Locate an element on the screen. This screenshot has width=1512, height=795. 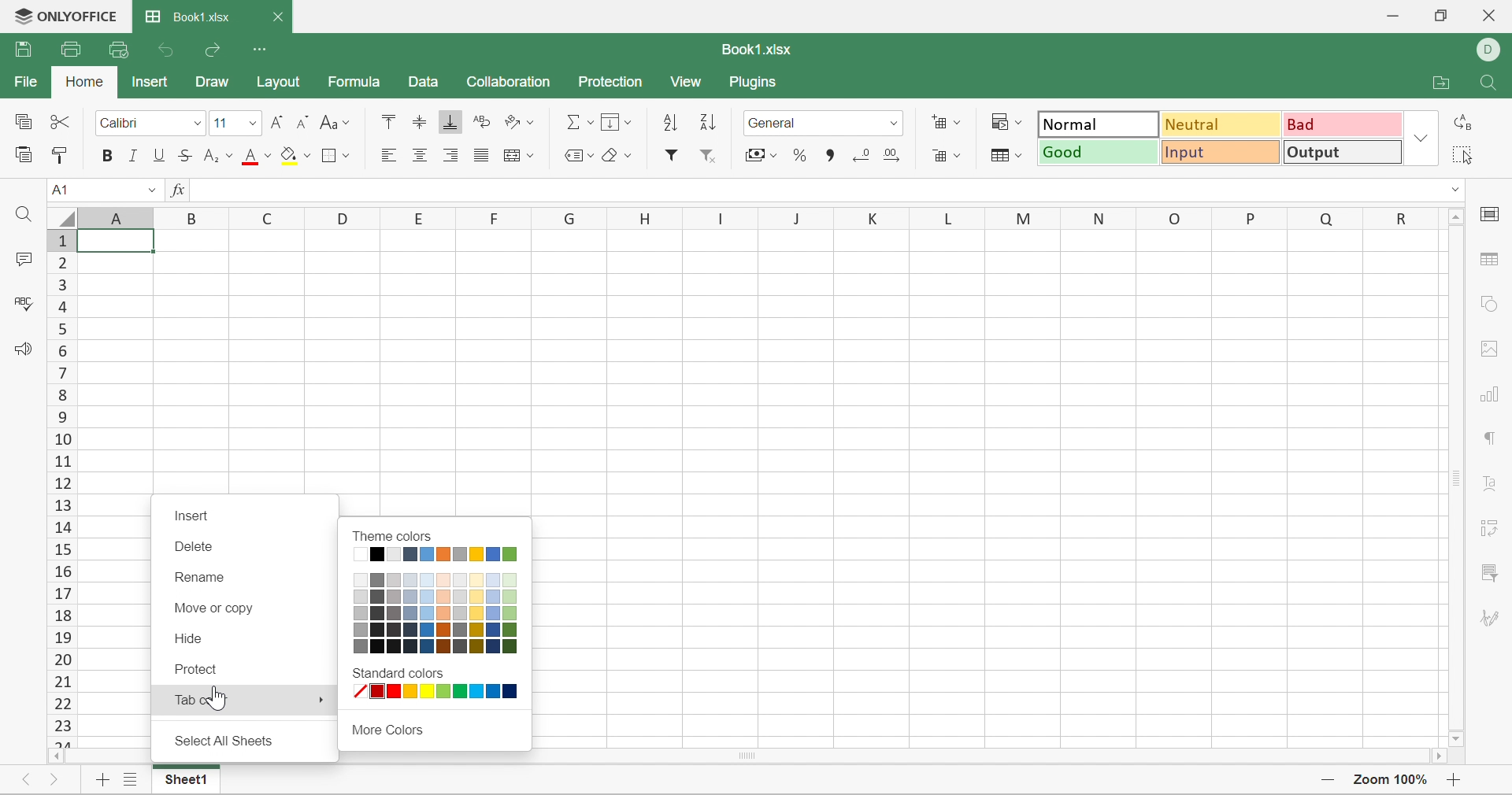
18 is located at coordinates (62, 615).